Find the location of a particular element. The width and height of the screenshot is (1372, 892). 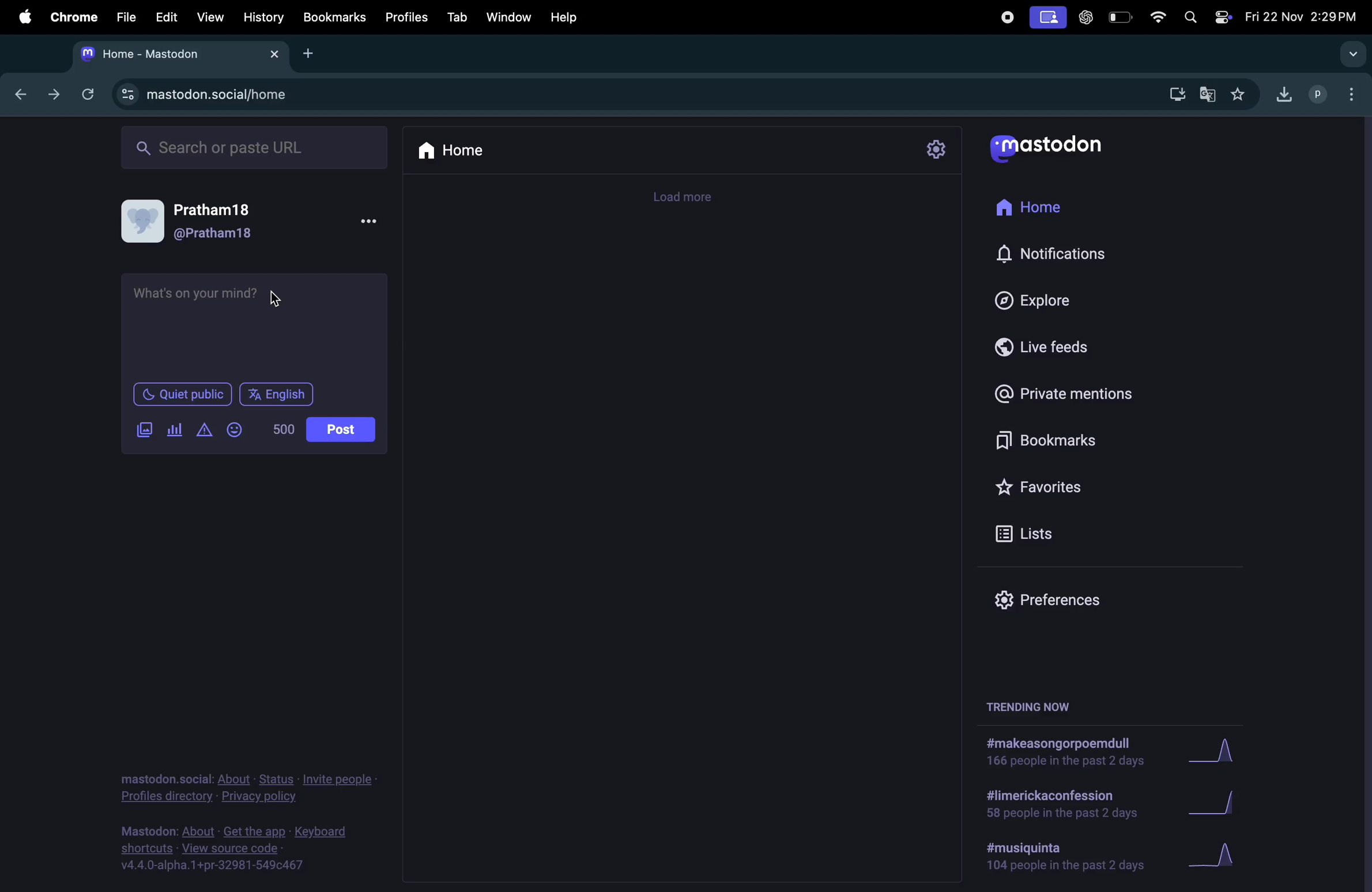

translate is located at coordinates (1208, 94).